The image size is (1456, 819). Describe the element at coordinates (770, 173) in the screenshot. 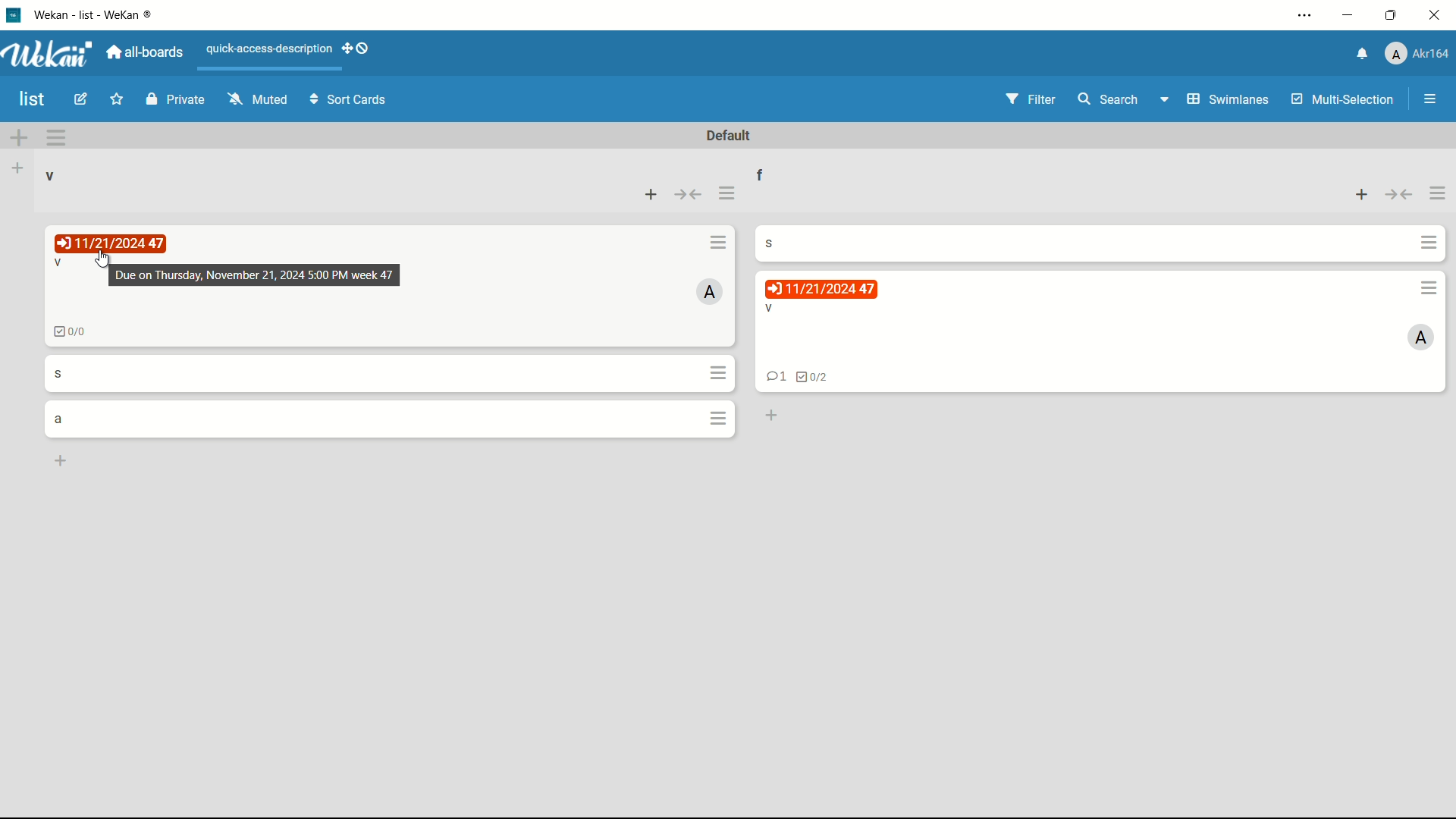

I see `list name` at that location.